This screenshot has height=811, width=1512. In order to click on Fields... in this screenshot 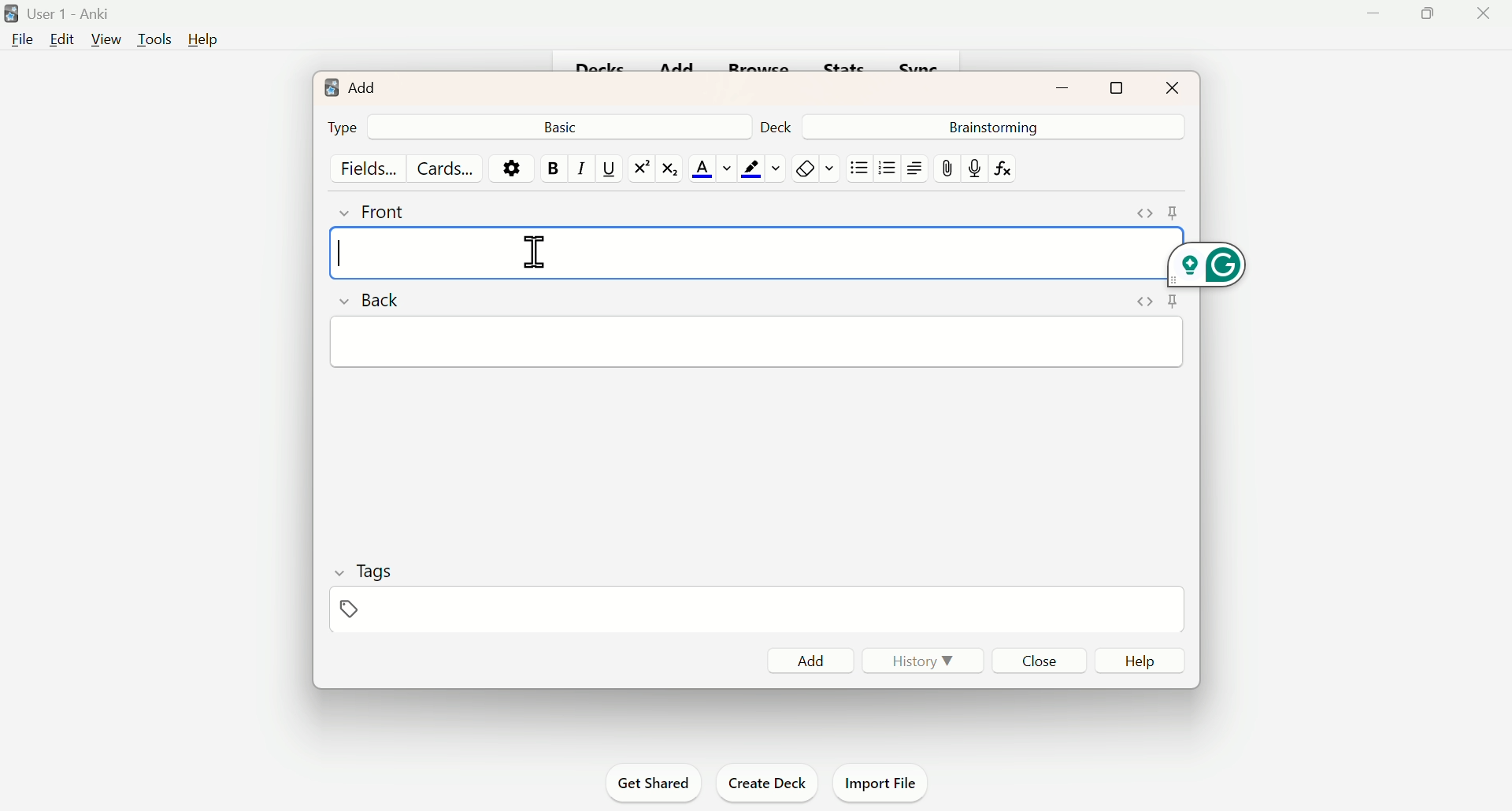, I will do `click(372, 168)`.